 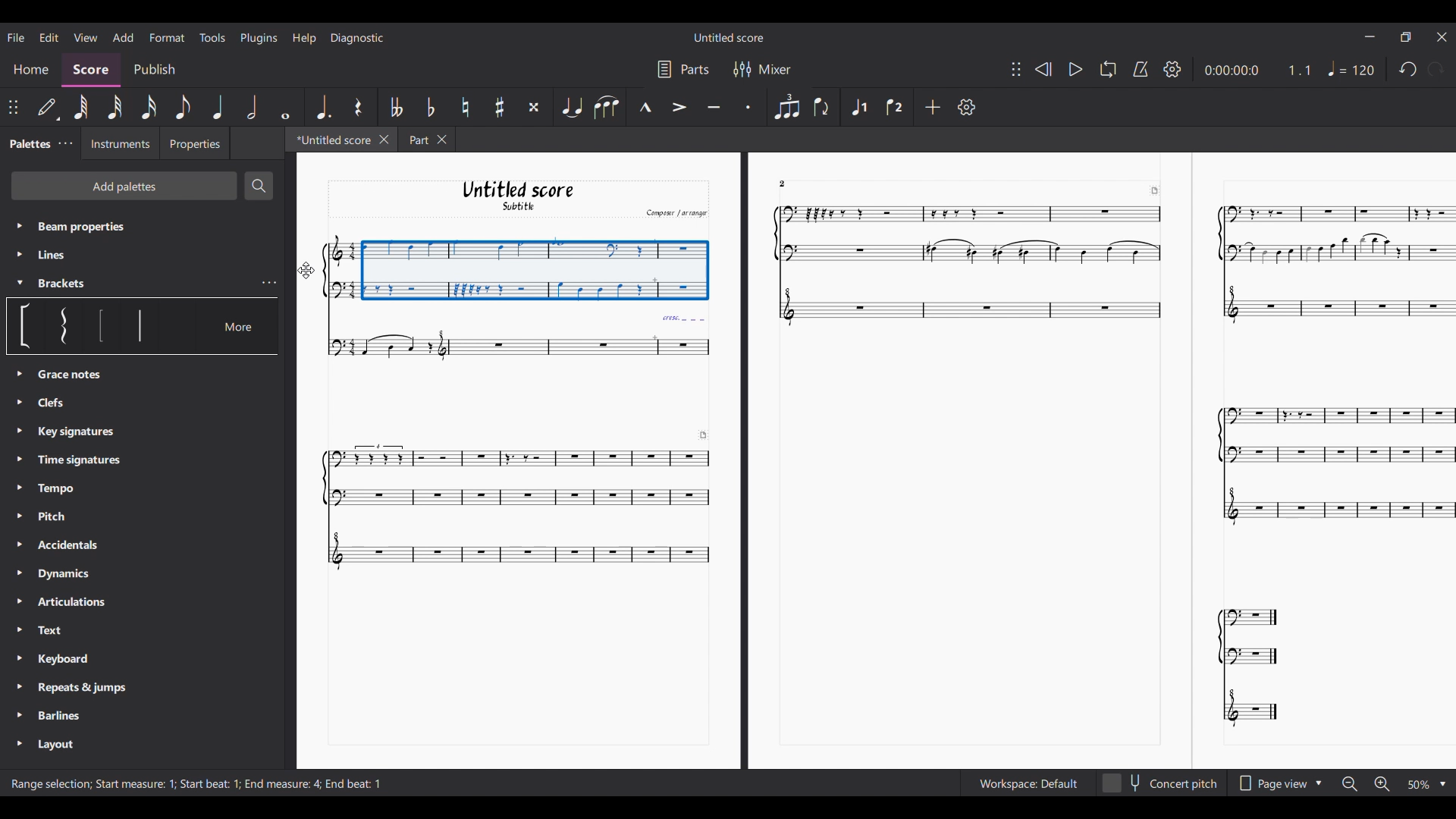 I want to click on File, so click(x=16, y=36).